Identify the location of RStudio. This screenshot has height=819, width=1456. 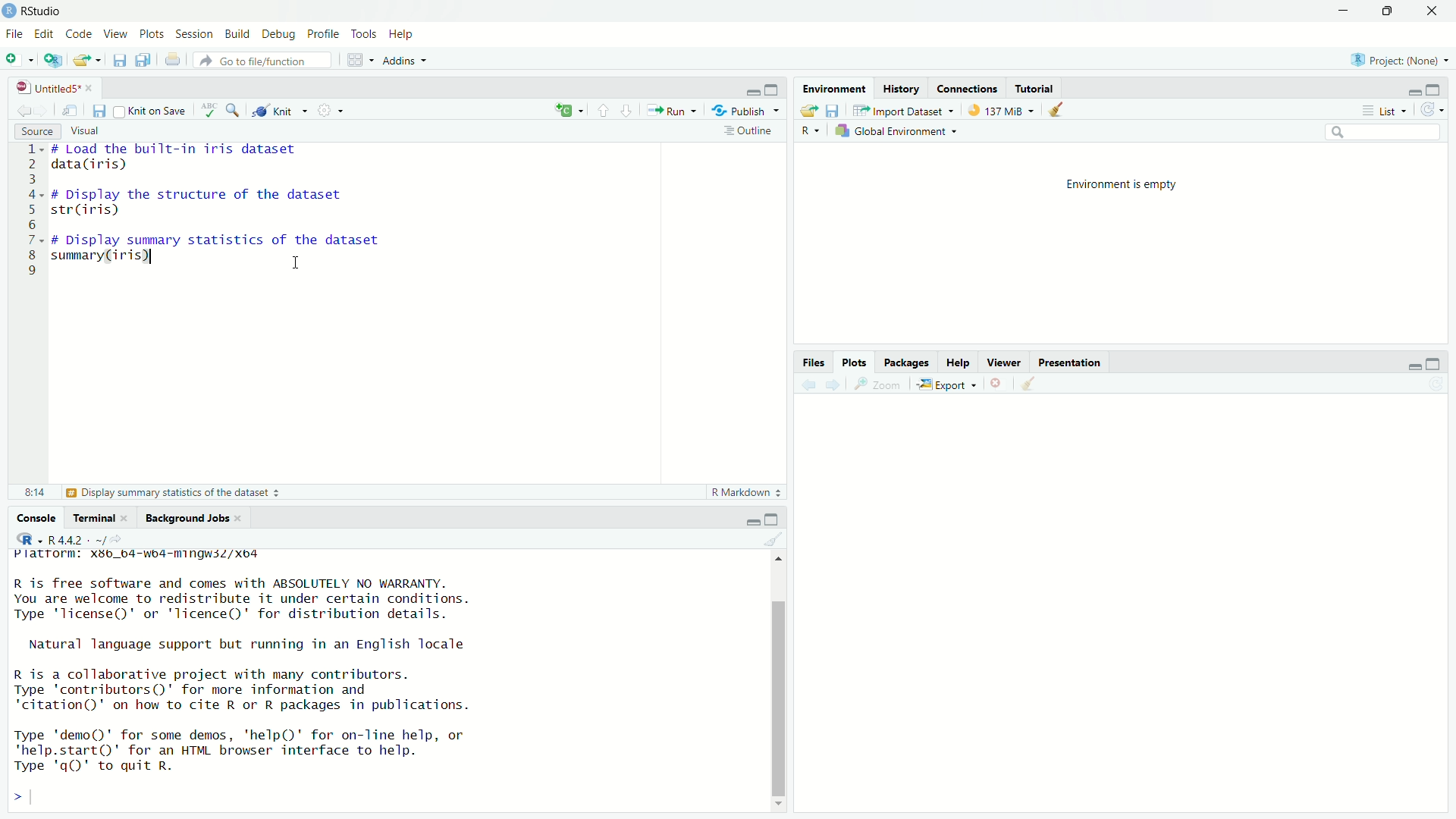
(33, 11).